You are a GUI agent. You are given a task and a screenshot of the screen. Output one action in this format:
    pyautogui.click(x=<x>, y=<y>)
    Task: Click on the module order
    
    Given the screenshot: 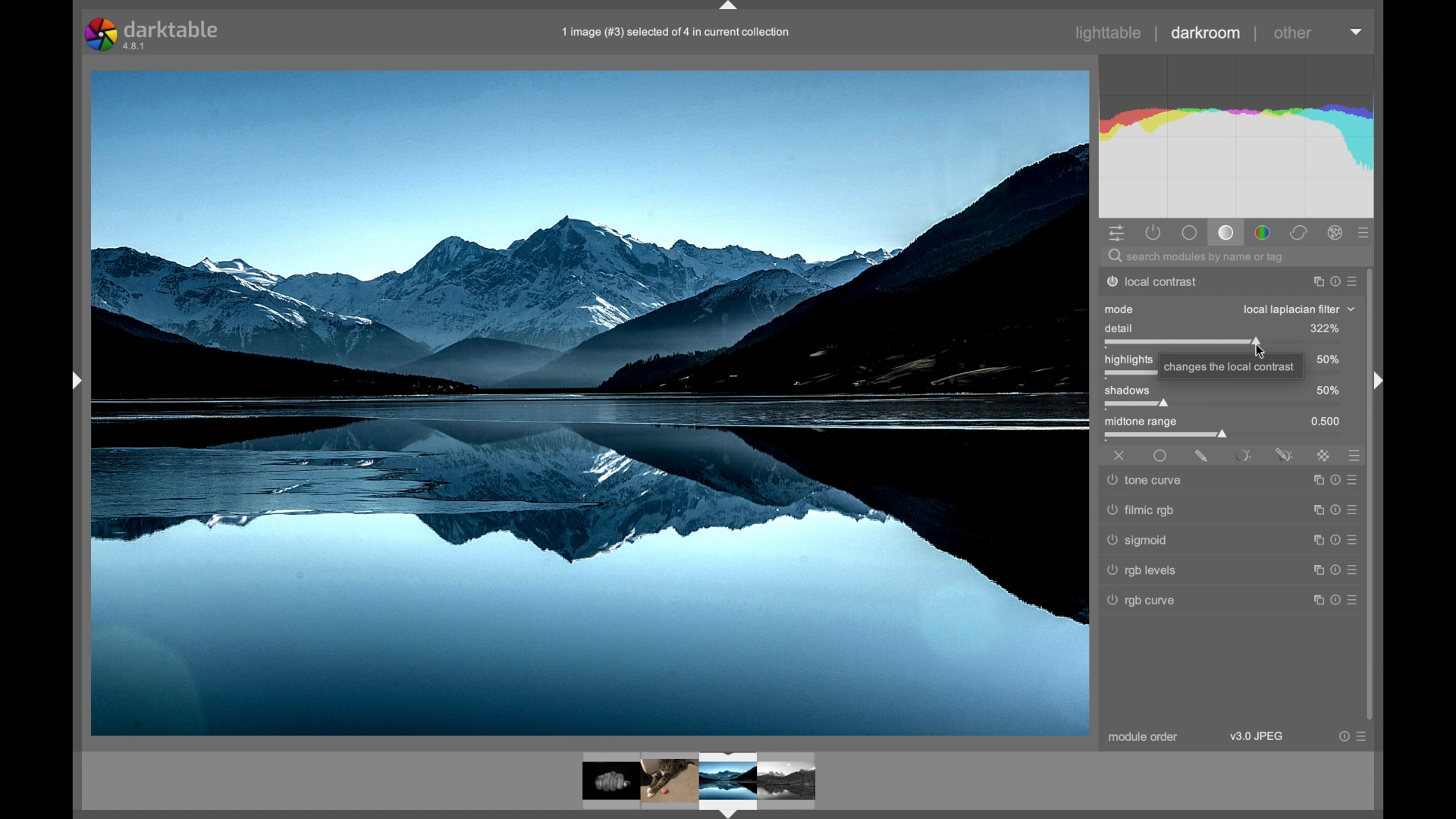 What is the action you would take?
    pyautogui.click(x=1145, y=737)
    